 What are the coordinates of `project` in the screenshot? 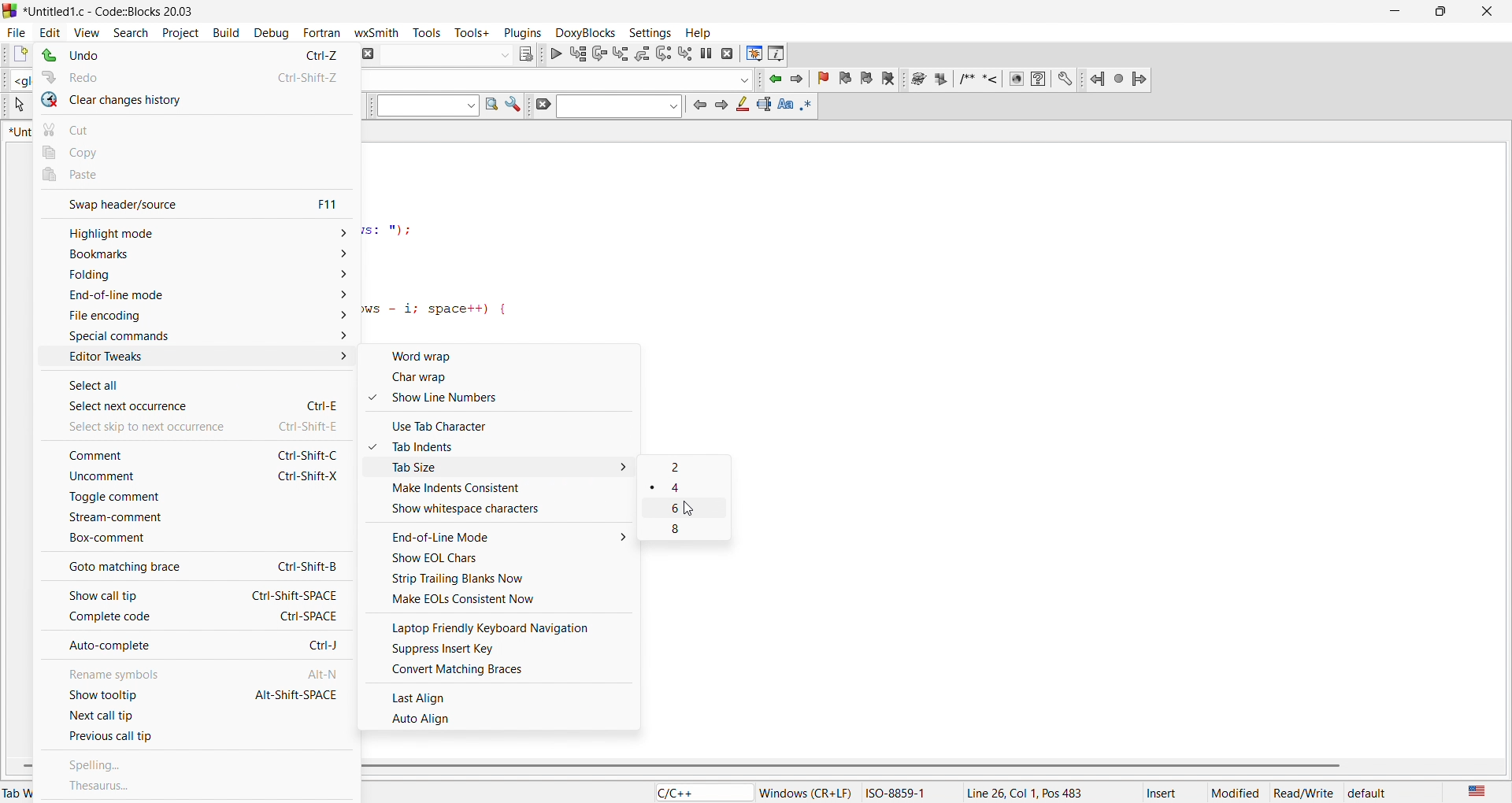 It's located at (180, 31).